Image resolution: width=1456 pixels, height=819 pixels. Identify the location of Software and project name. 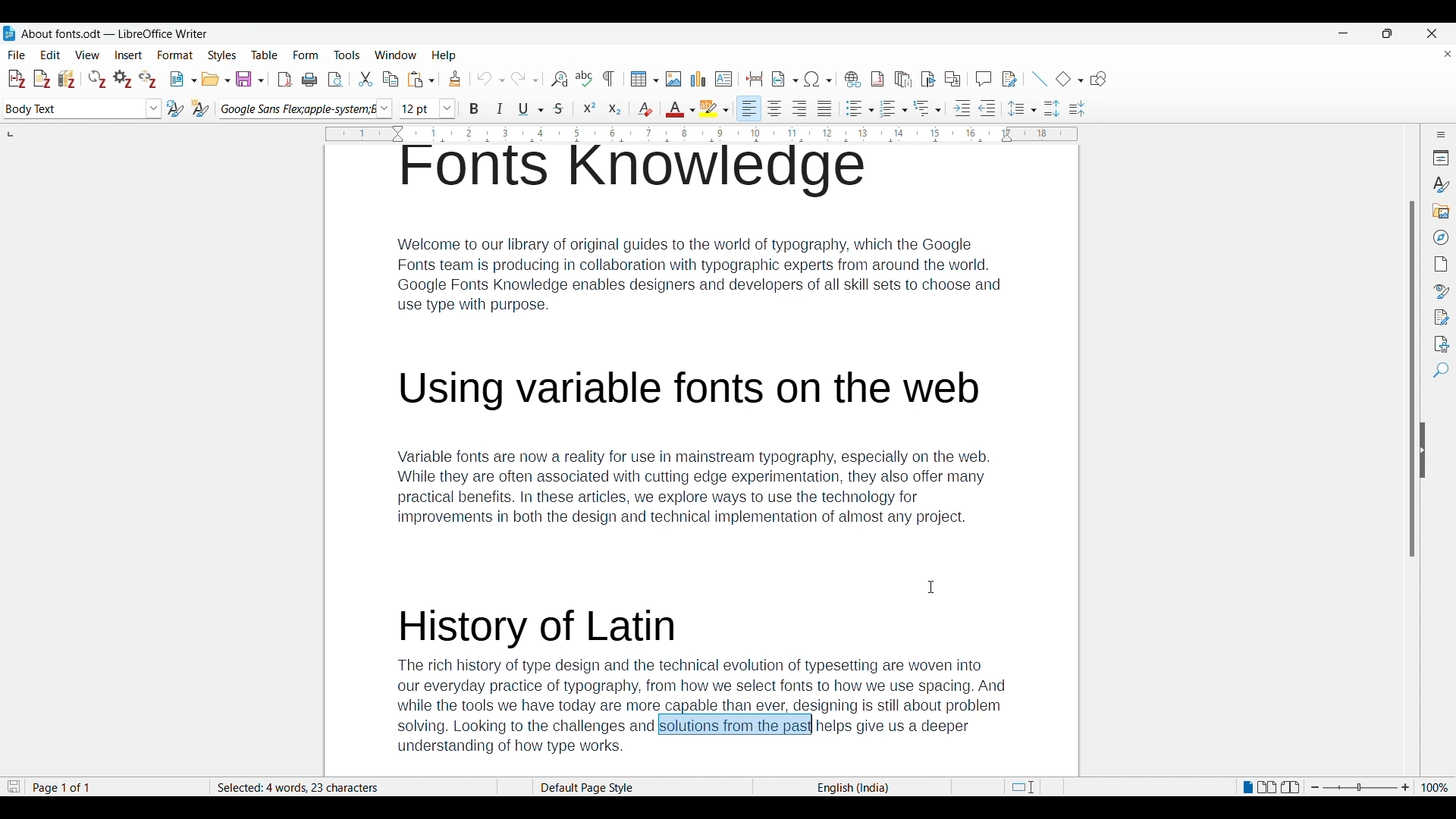
(115, 34).